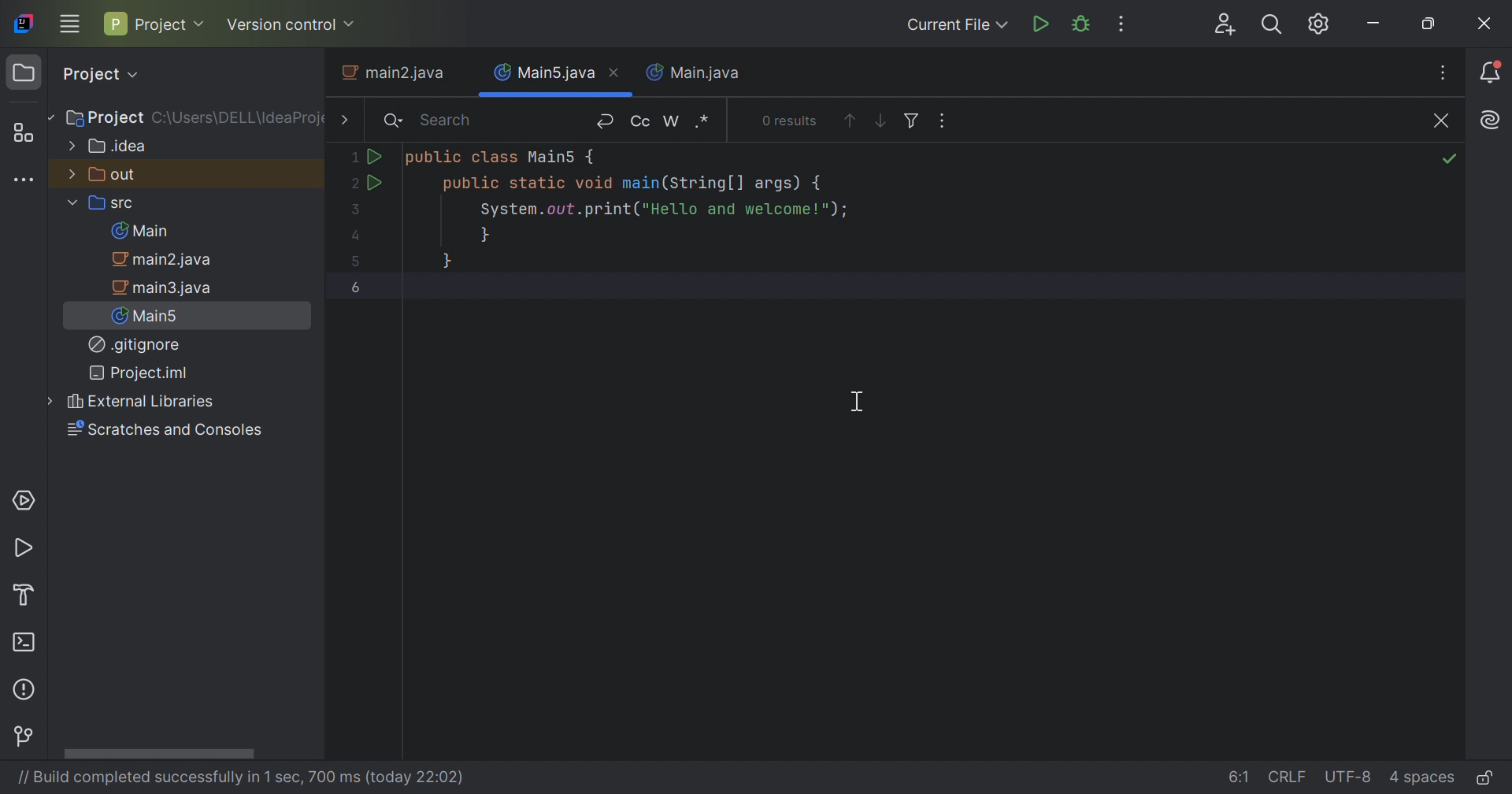  Describe the element at coordinates (859, 400) in the screenshot. I see `Cursor` at that location.